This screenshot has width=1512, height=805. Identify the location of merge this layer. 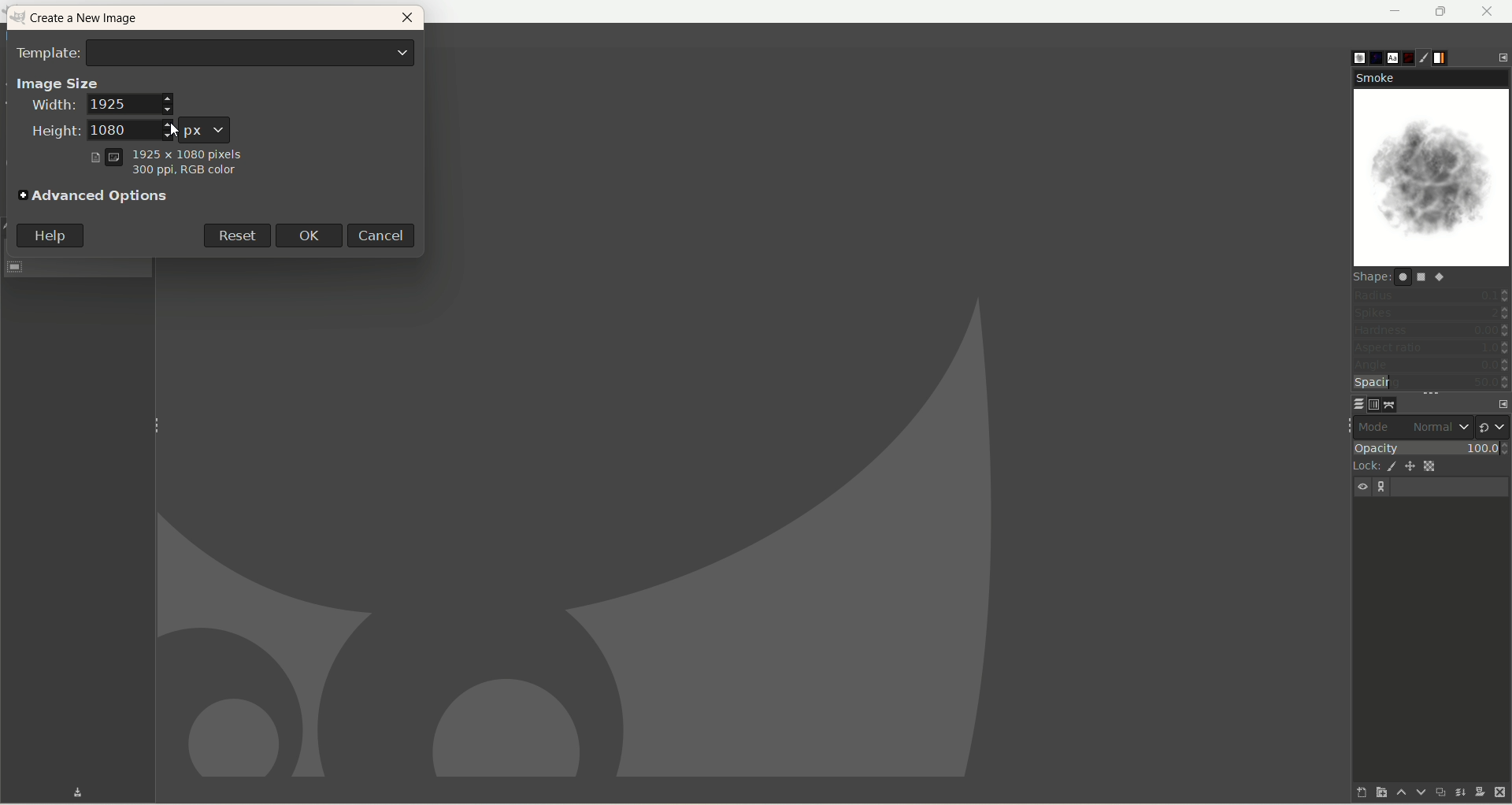
(1458, 790).